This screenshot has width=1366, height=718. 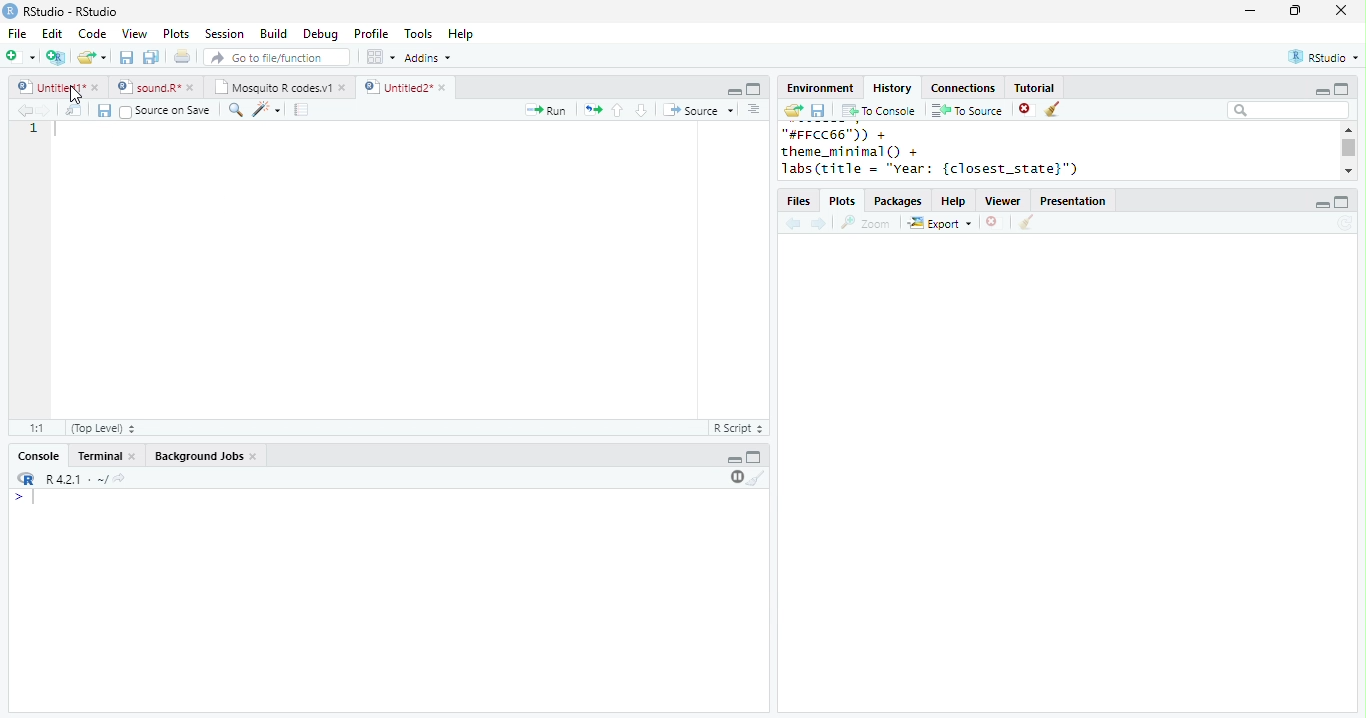 I want to click on show in new window, so click(x=75, y=110).